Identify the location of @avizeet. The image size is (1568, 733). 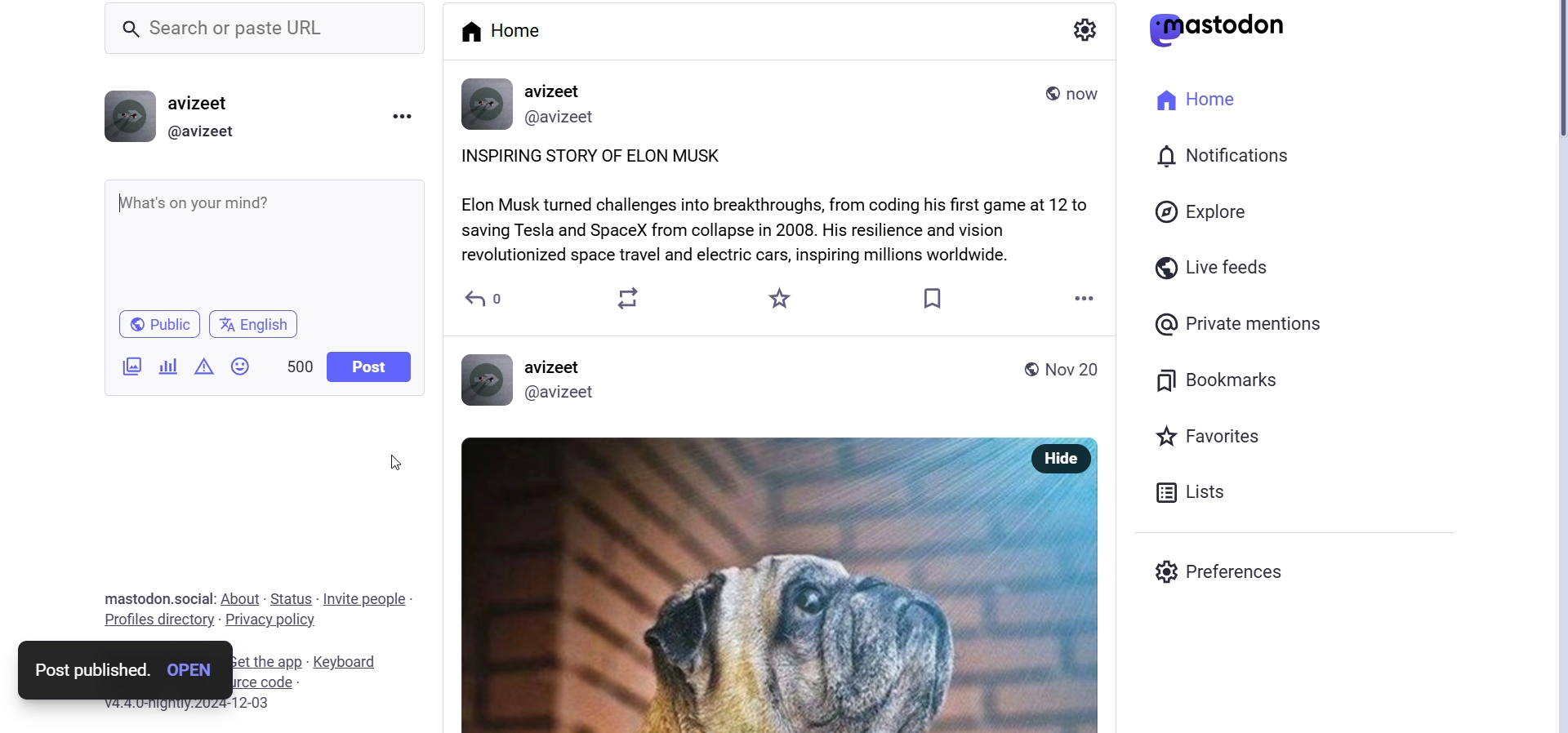
(204, 130).